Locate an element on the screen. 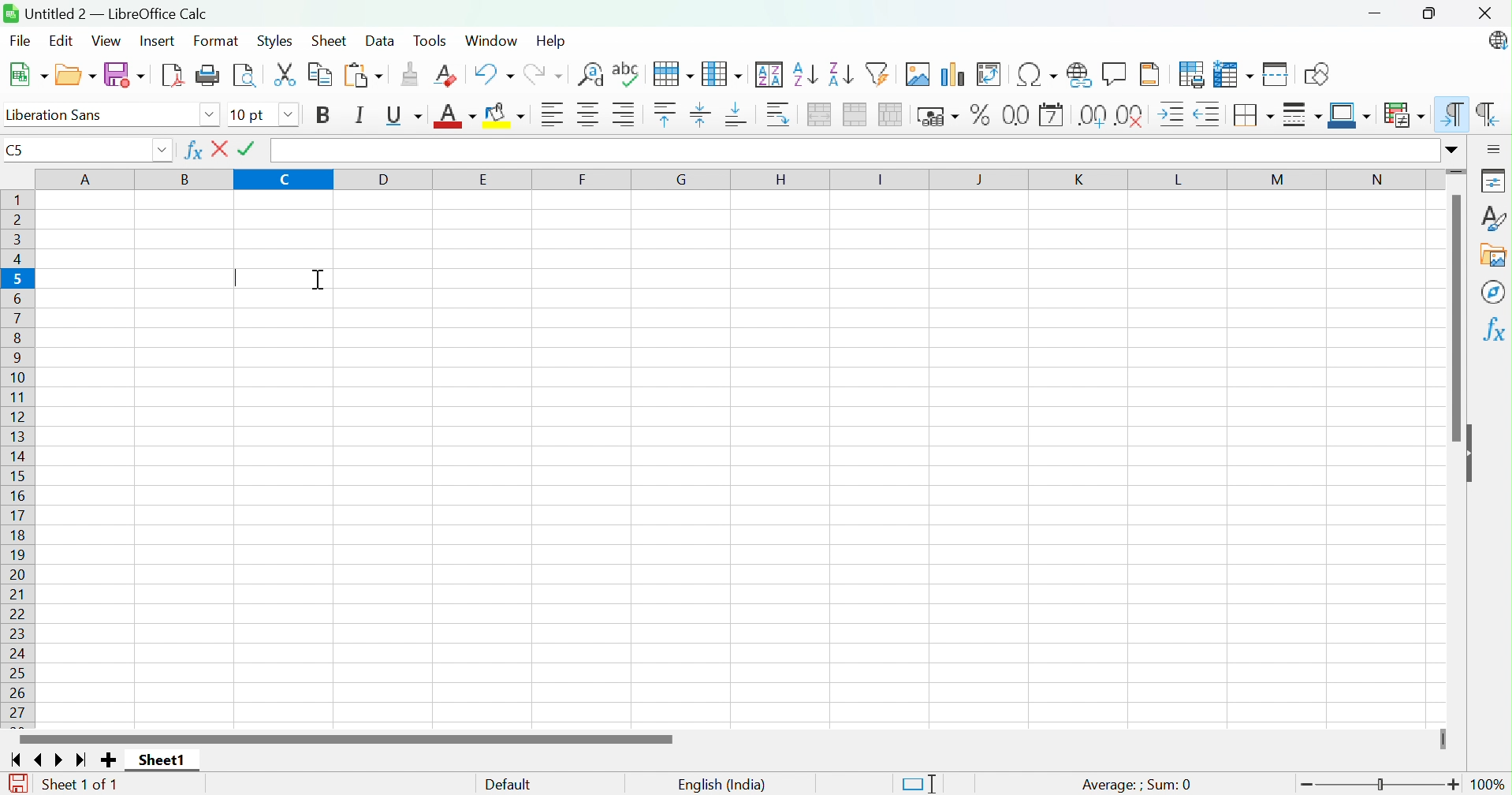 This screenshot has width=1512, height=795. Print is located at coordinates (207, 75).